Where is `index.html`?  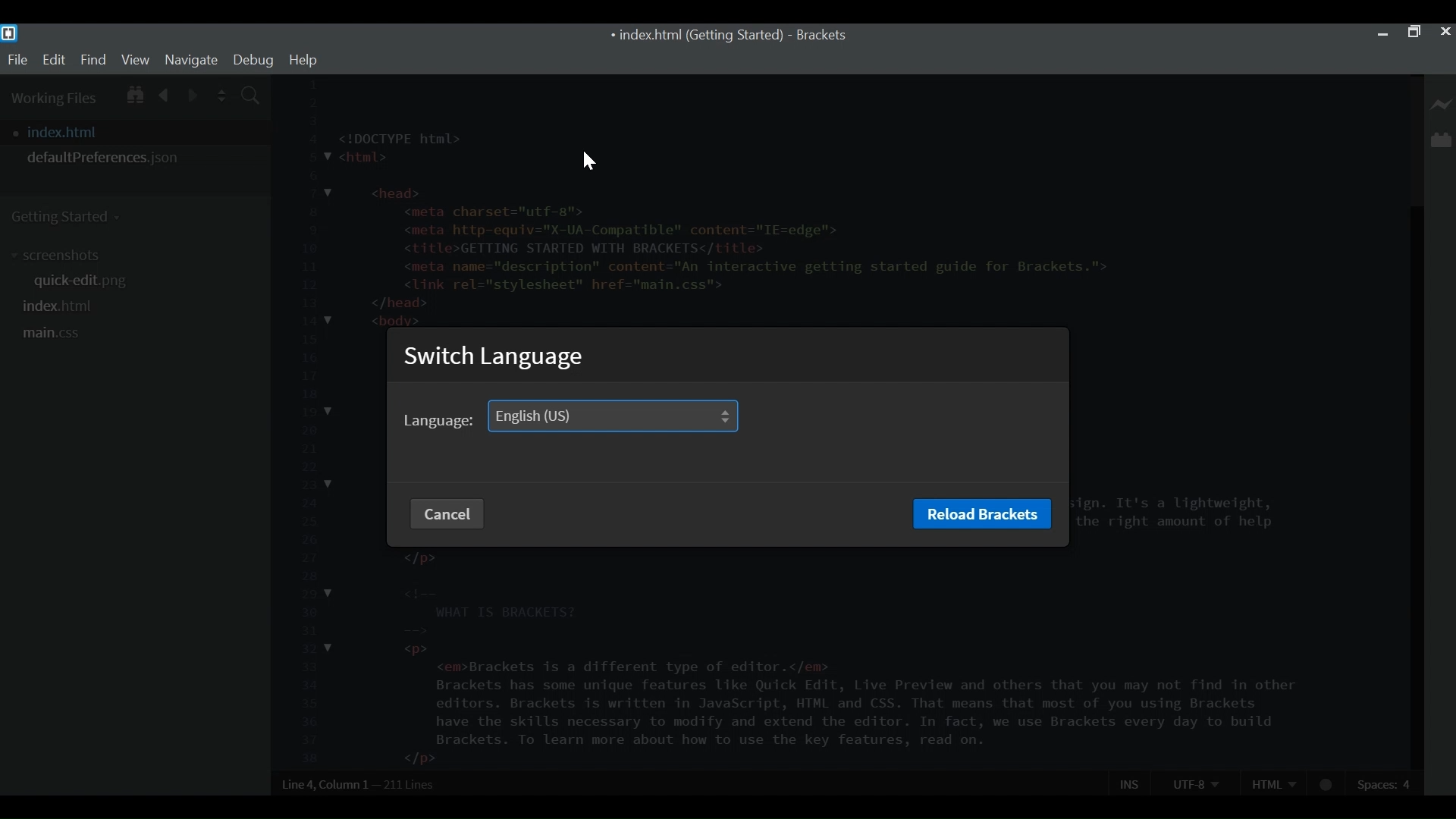
index.html is located at coordinates (140, 132).